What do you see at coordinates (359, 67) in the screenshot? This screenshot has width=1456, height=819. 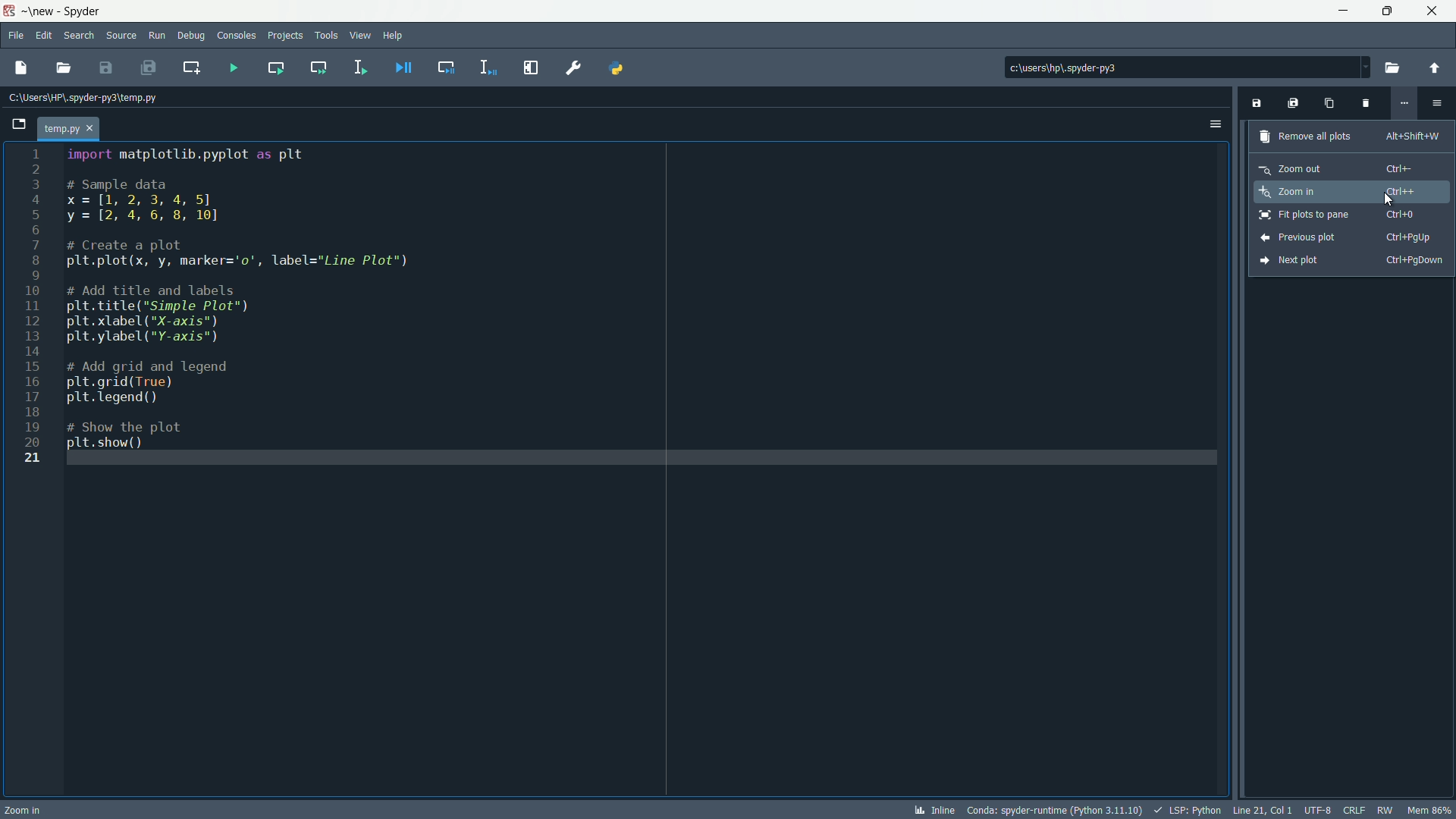 I see `run selection or current line` at bounding box center [359, 67].